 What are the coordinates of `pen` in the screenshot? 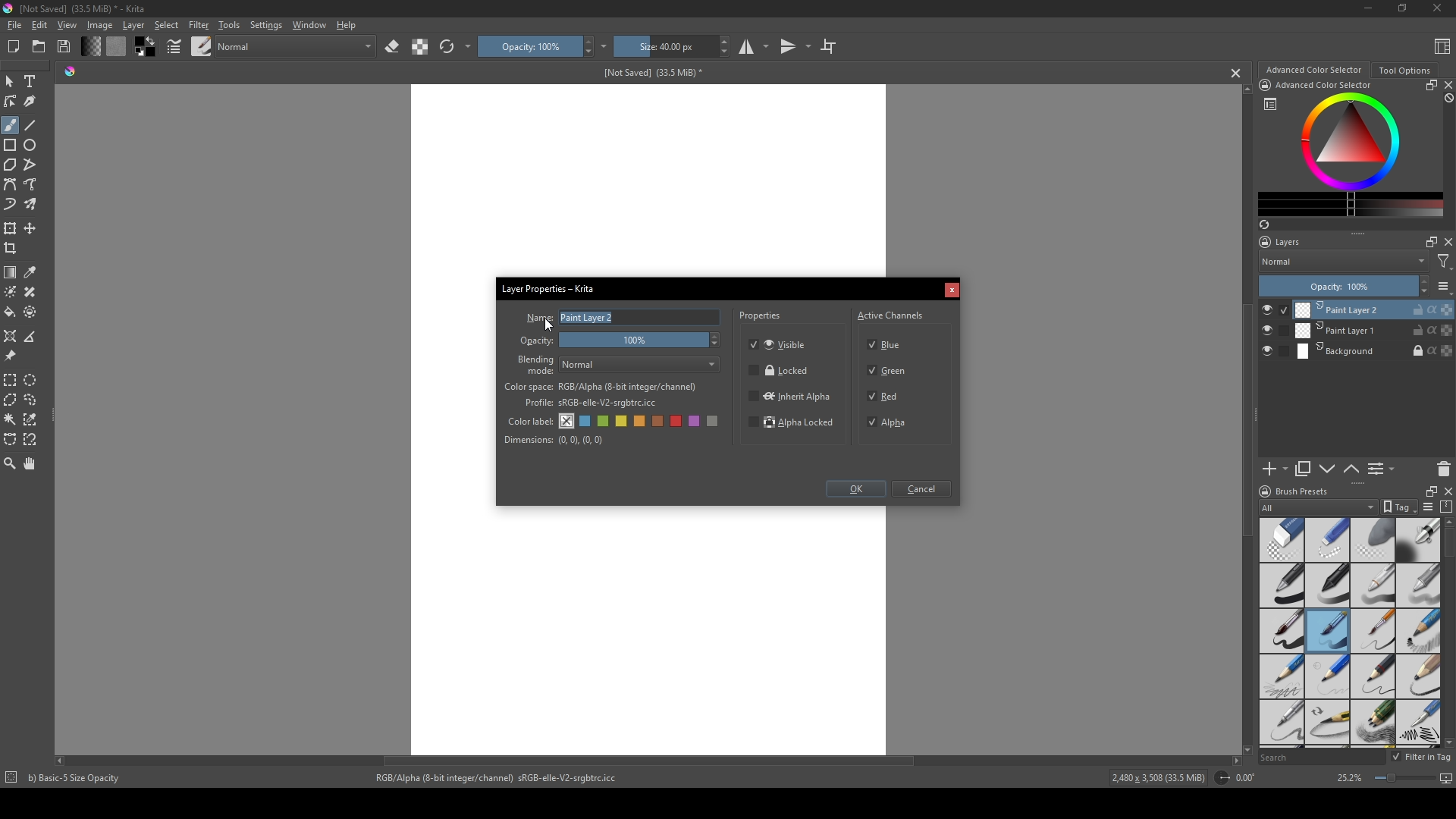 It's located at (1281, 586).